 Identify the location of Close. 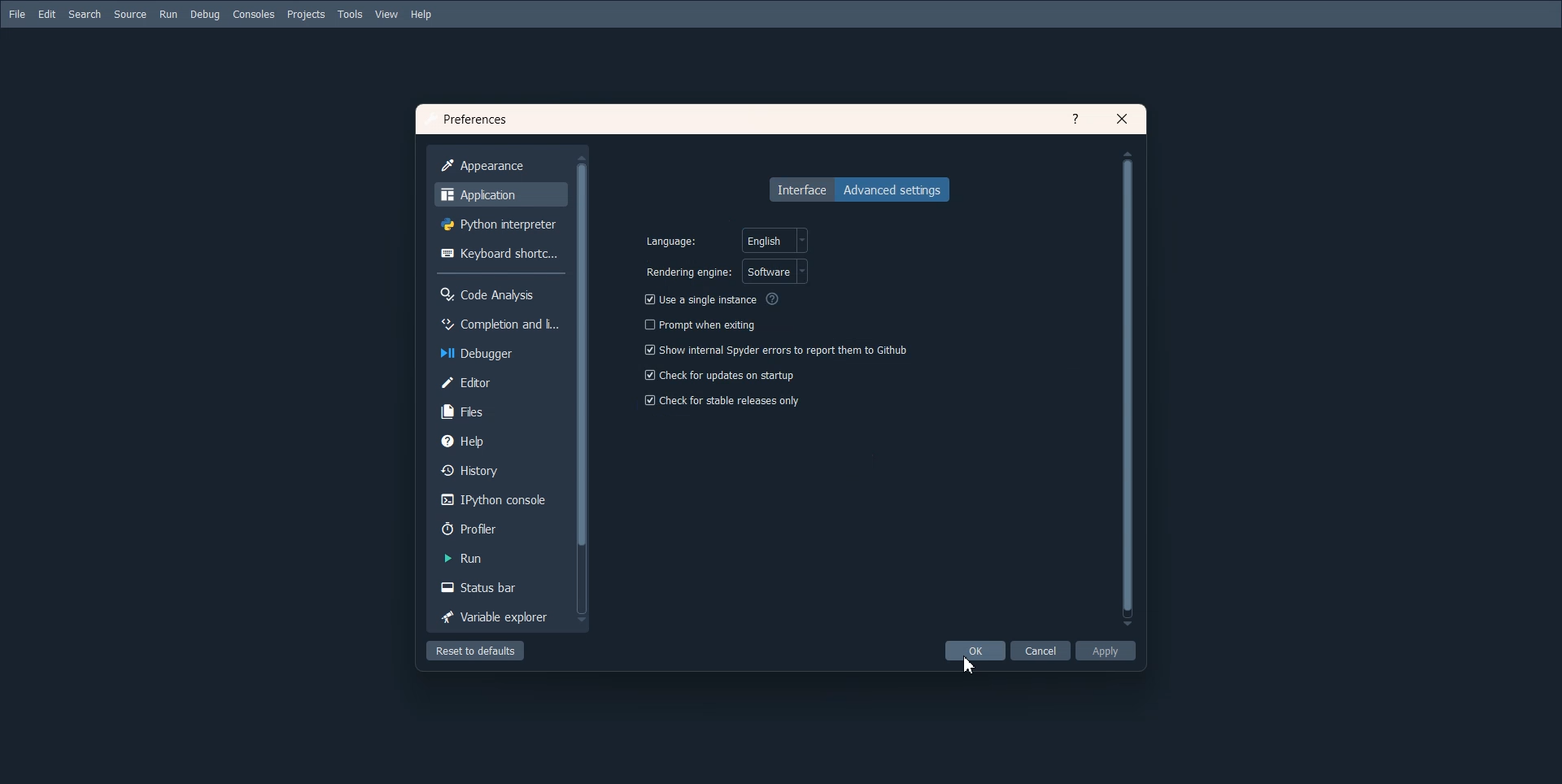
(1123, 118).